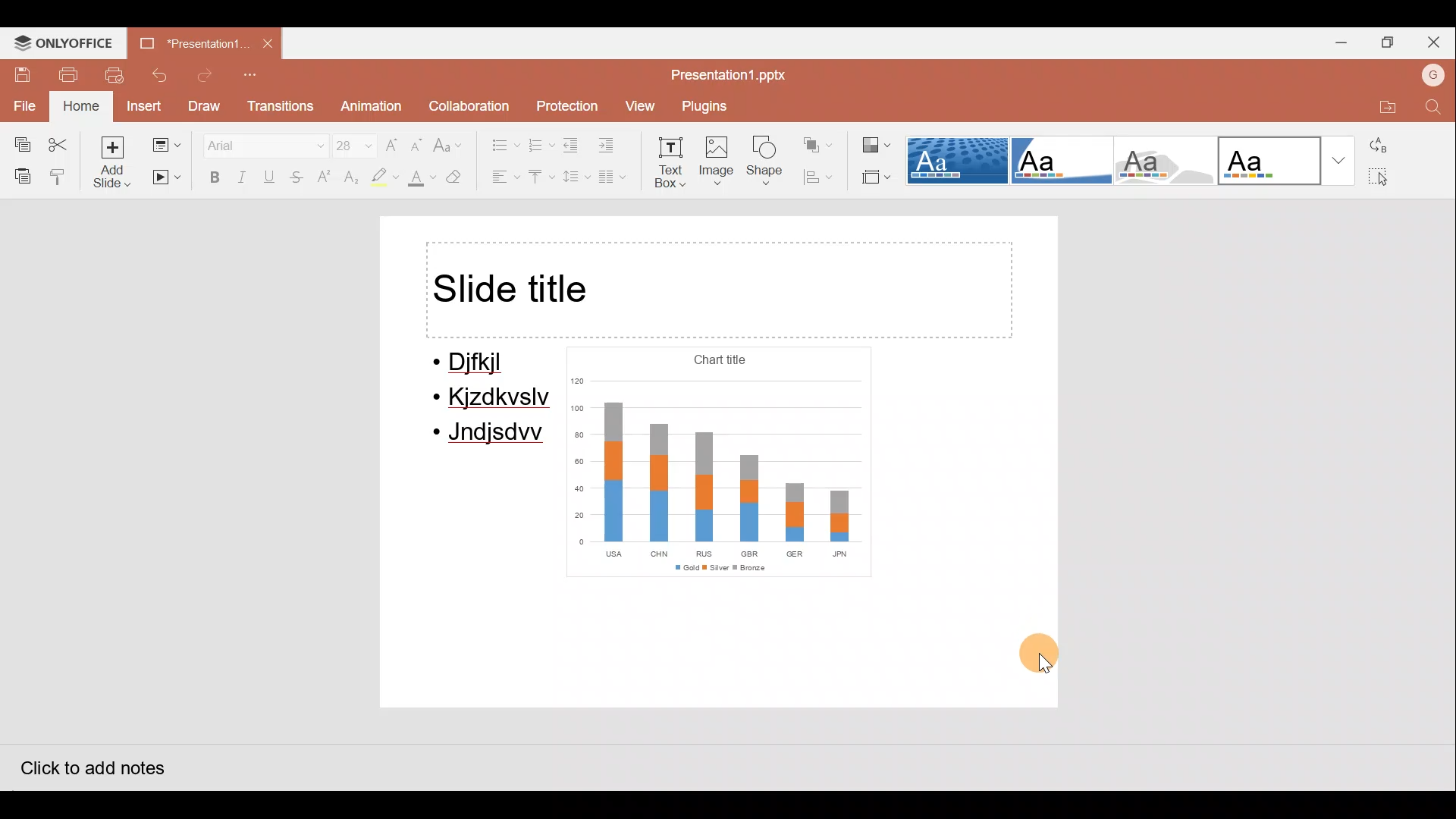 This screenshot has width=1456, height=819. I want to click on Click to add notes, so click(91, 767).